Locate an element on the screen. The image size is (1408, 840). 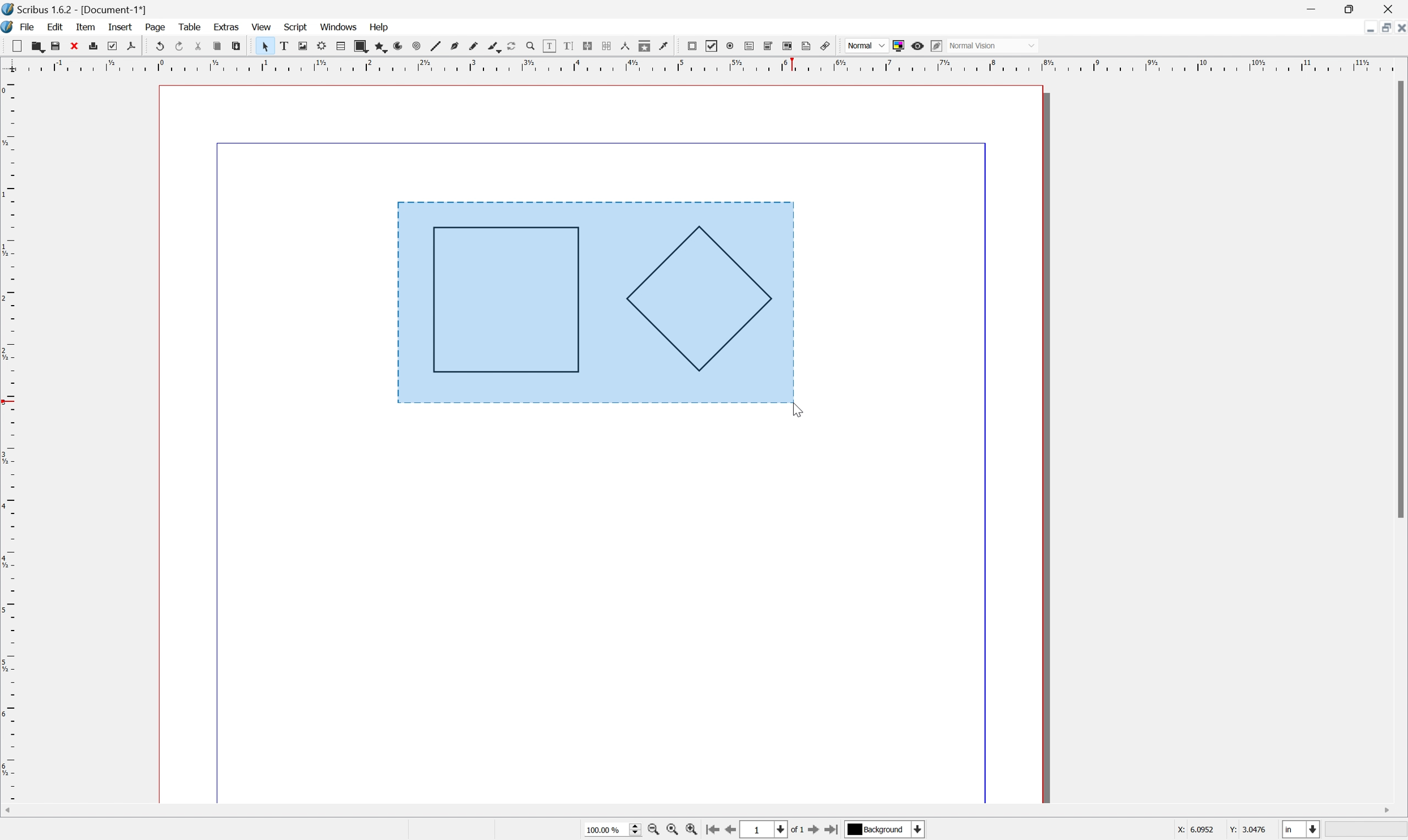
Toggle color management system is located at coordinates (900, 46).